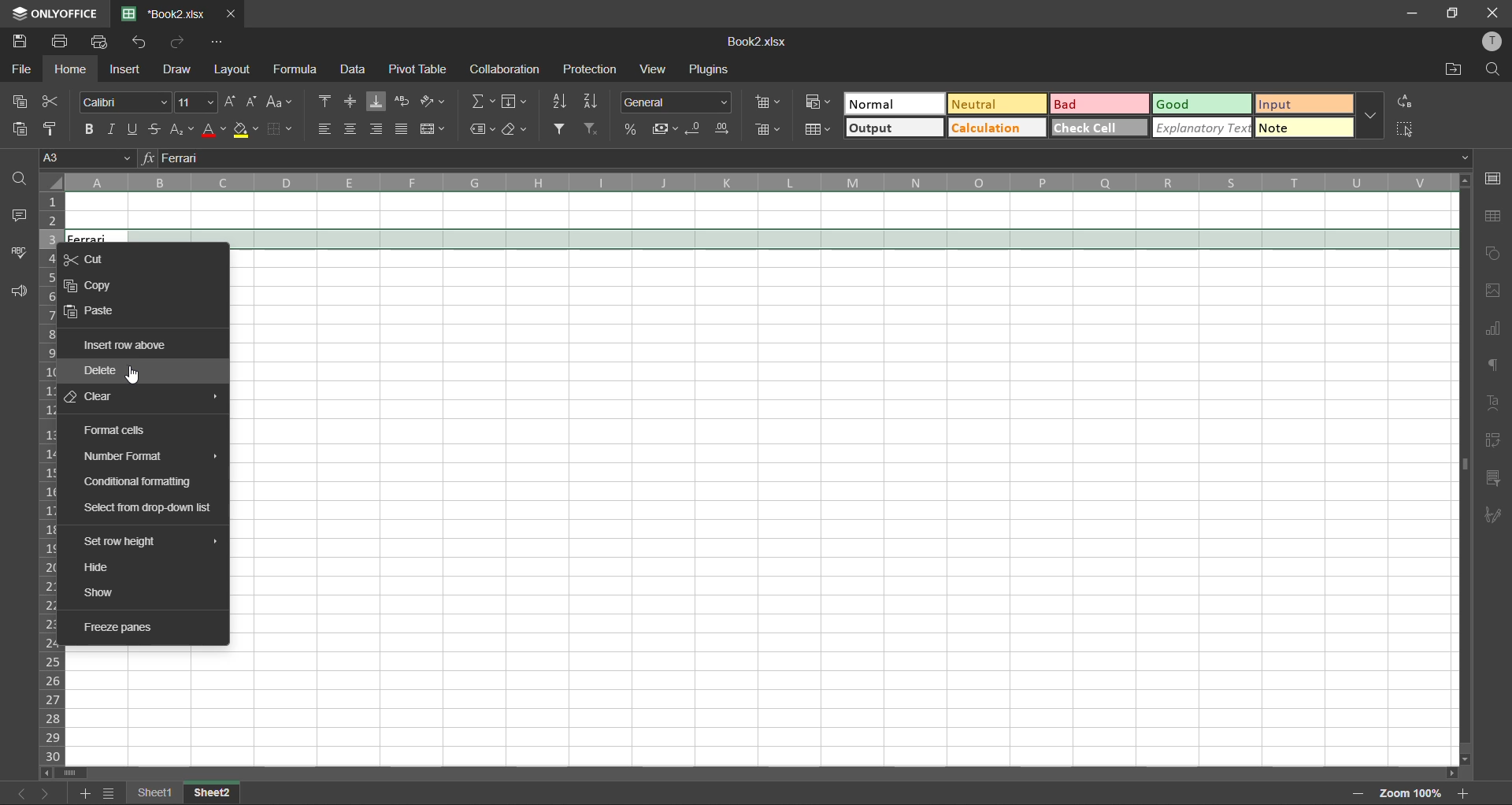 The height and width of the screenshot is (805, 1512). What do you see at coordinates (159, 128) in the screenshot?
I see `strikethrough` at bounding box center [159, 128].